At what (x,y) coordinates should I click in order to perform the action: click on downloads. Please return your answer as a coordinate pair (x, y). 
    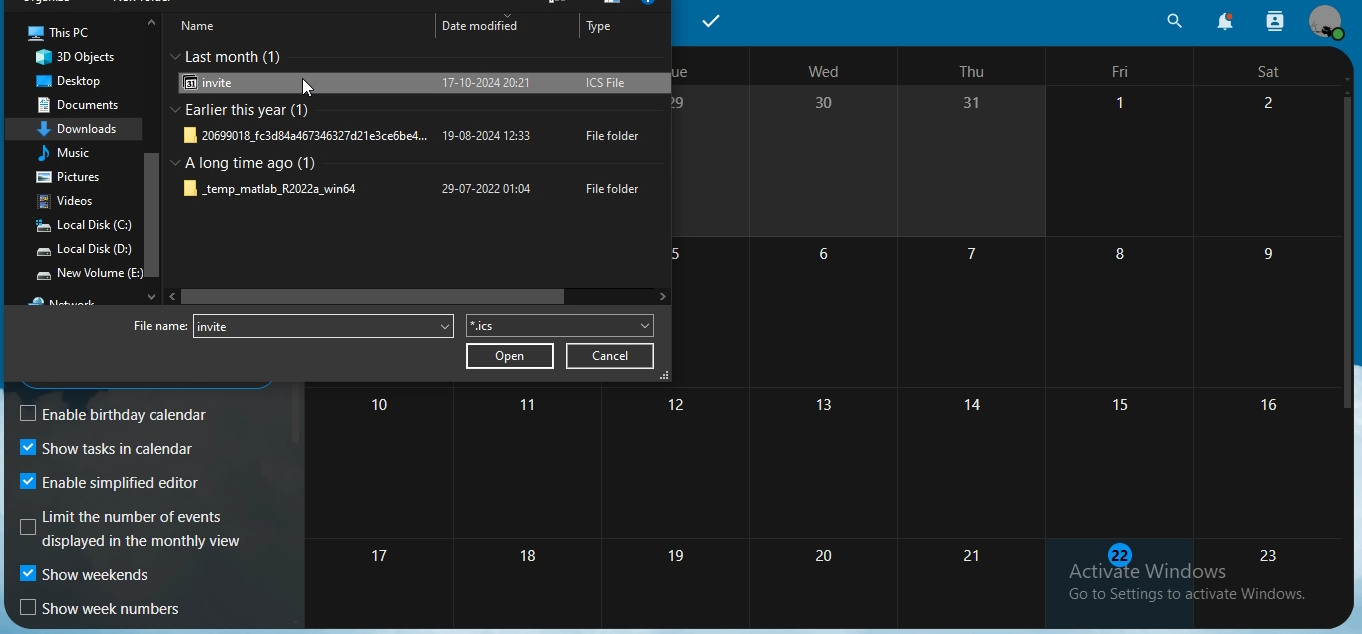
    Looking at the image, I should click on (83, 127).